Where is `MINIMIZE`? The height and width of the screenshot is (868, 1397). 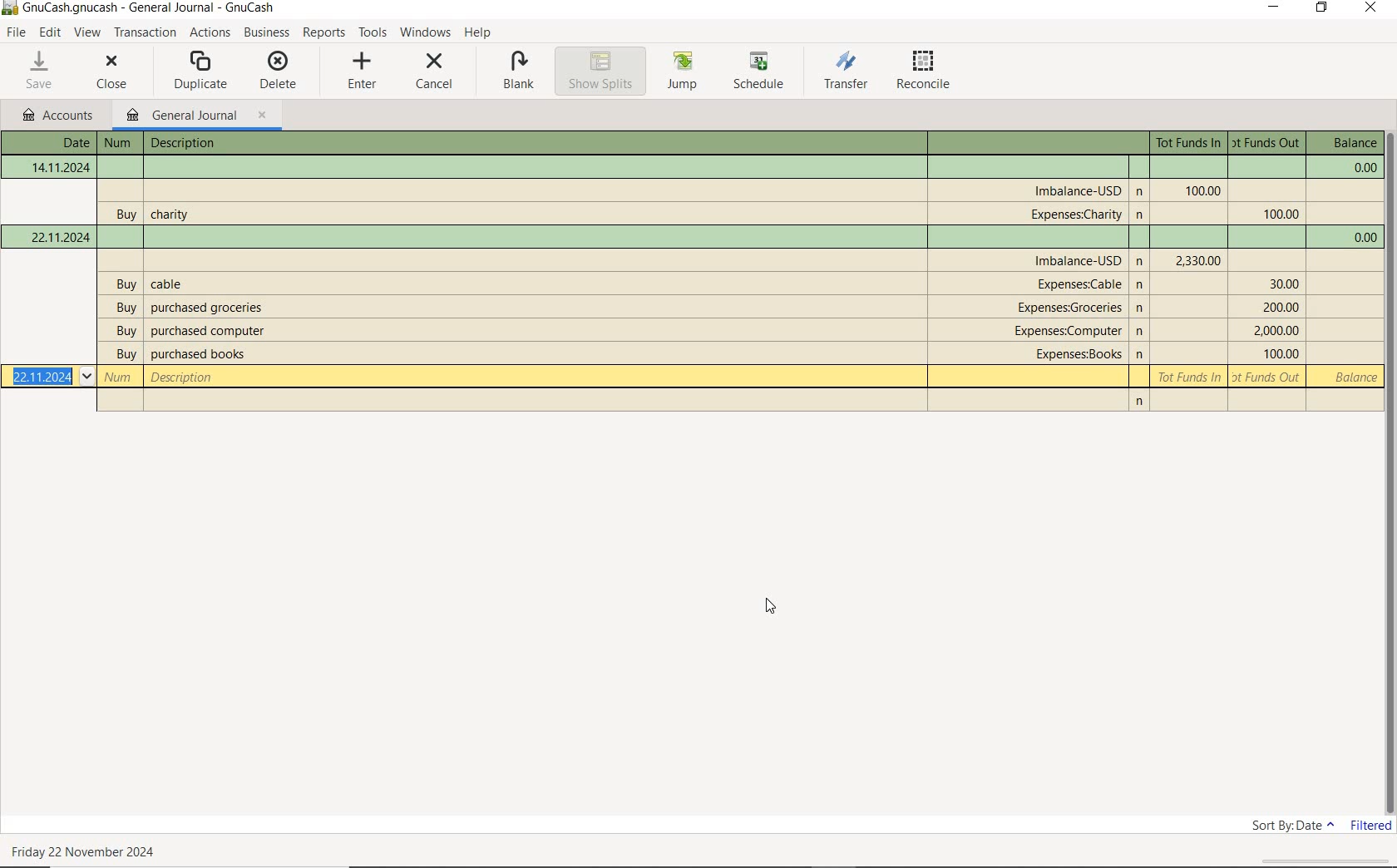 MINIMIZE is located at coordinates (1276, 10).